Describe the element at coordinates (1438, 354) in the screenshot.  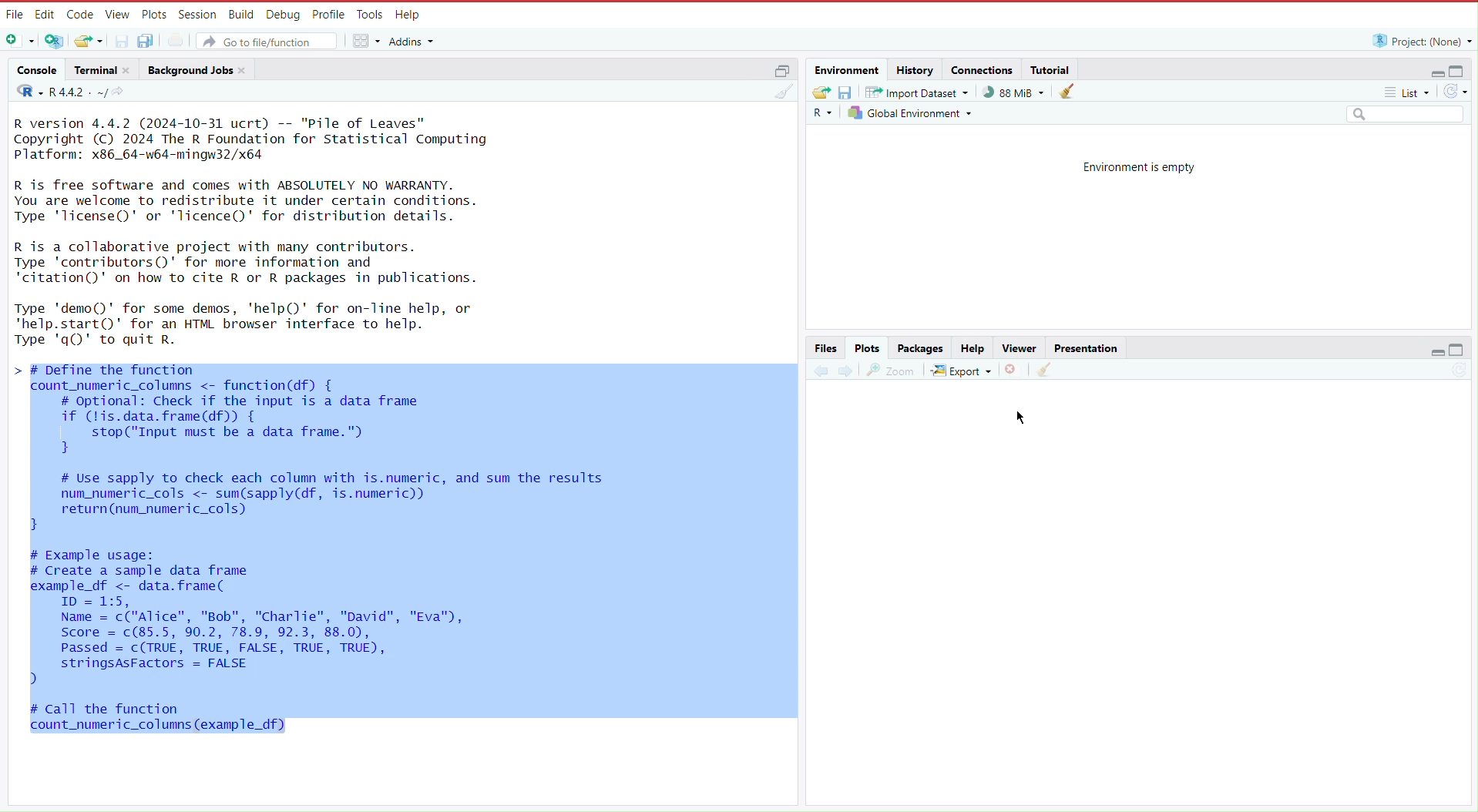
I see `Minimize` at that location.